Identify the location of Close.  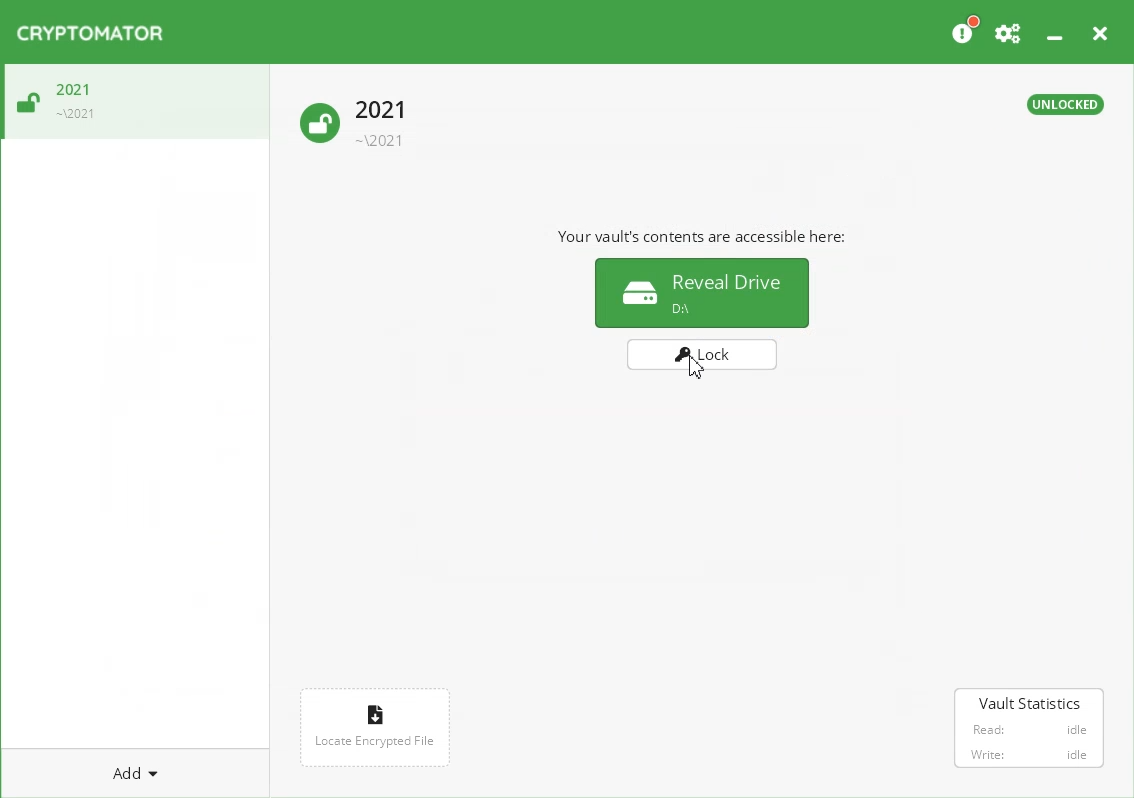
(1099, 30).